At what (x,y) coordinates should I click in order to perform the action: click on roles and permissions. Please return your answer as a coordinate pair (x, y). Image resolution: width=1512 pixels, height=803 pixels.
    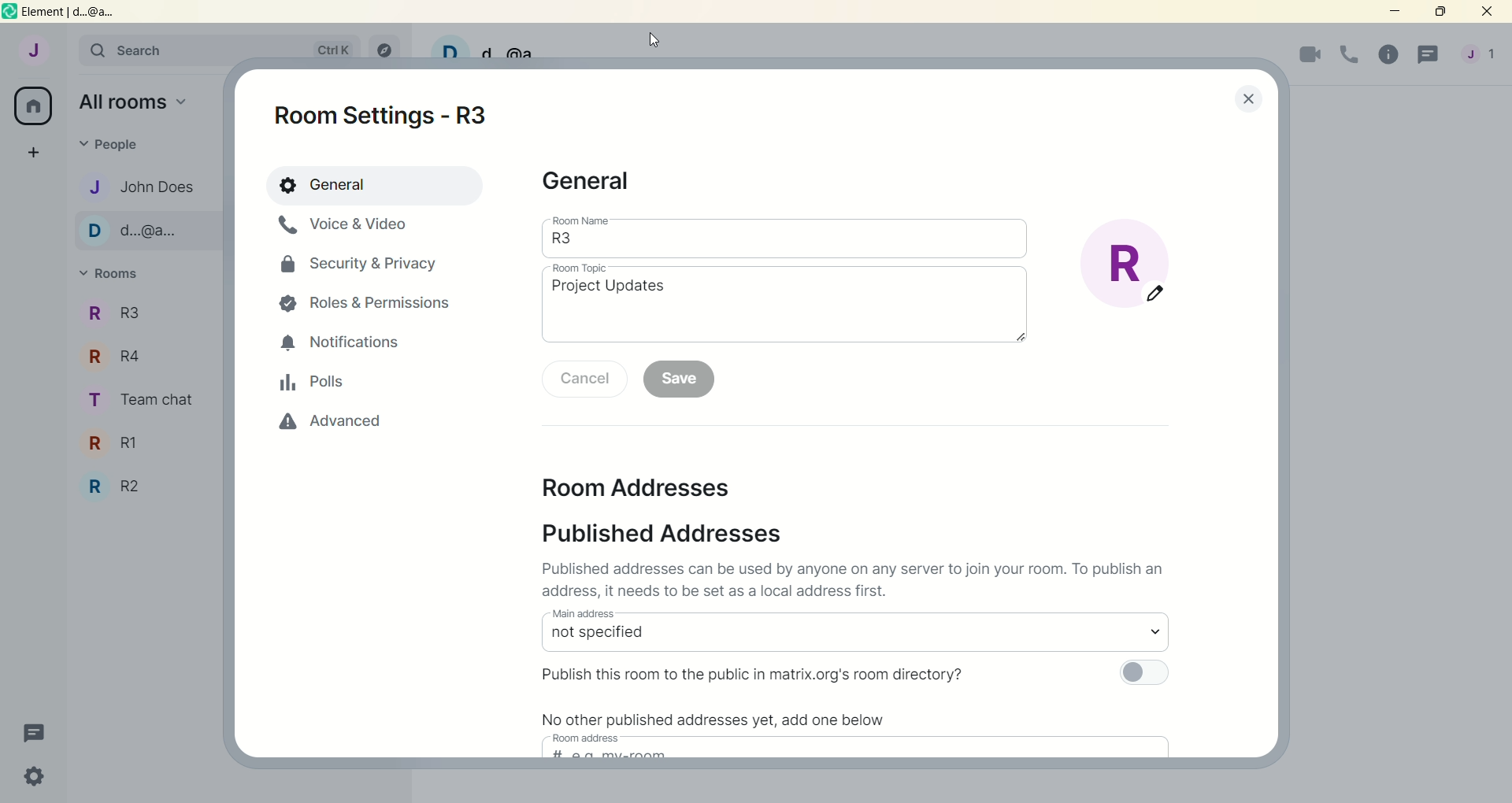
    Looking at the image, I should click on (365, 302).